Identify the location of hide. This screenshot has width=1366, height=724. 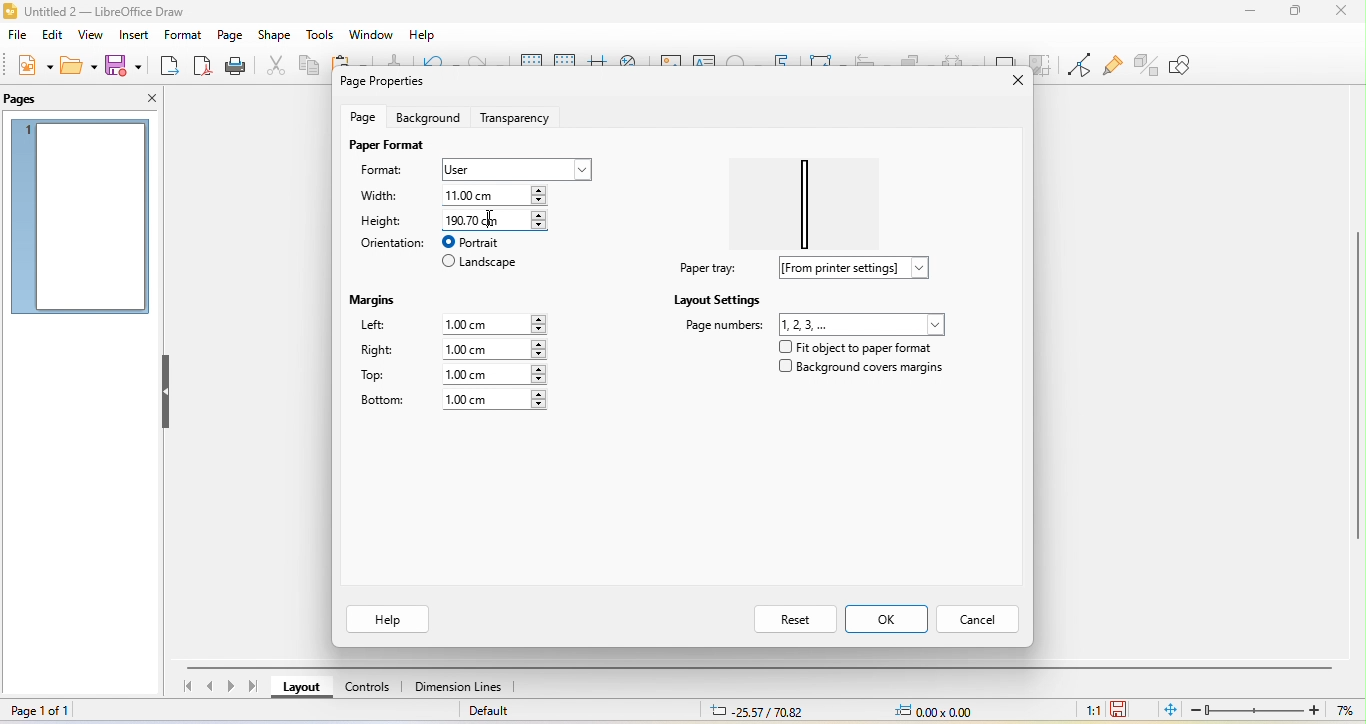
(167, 393).